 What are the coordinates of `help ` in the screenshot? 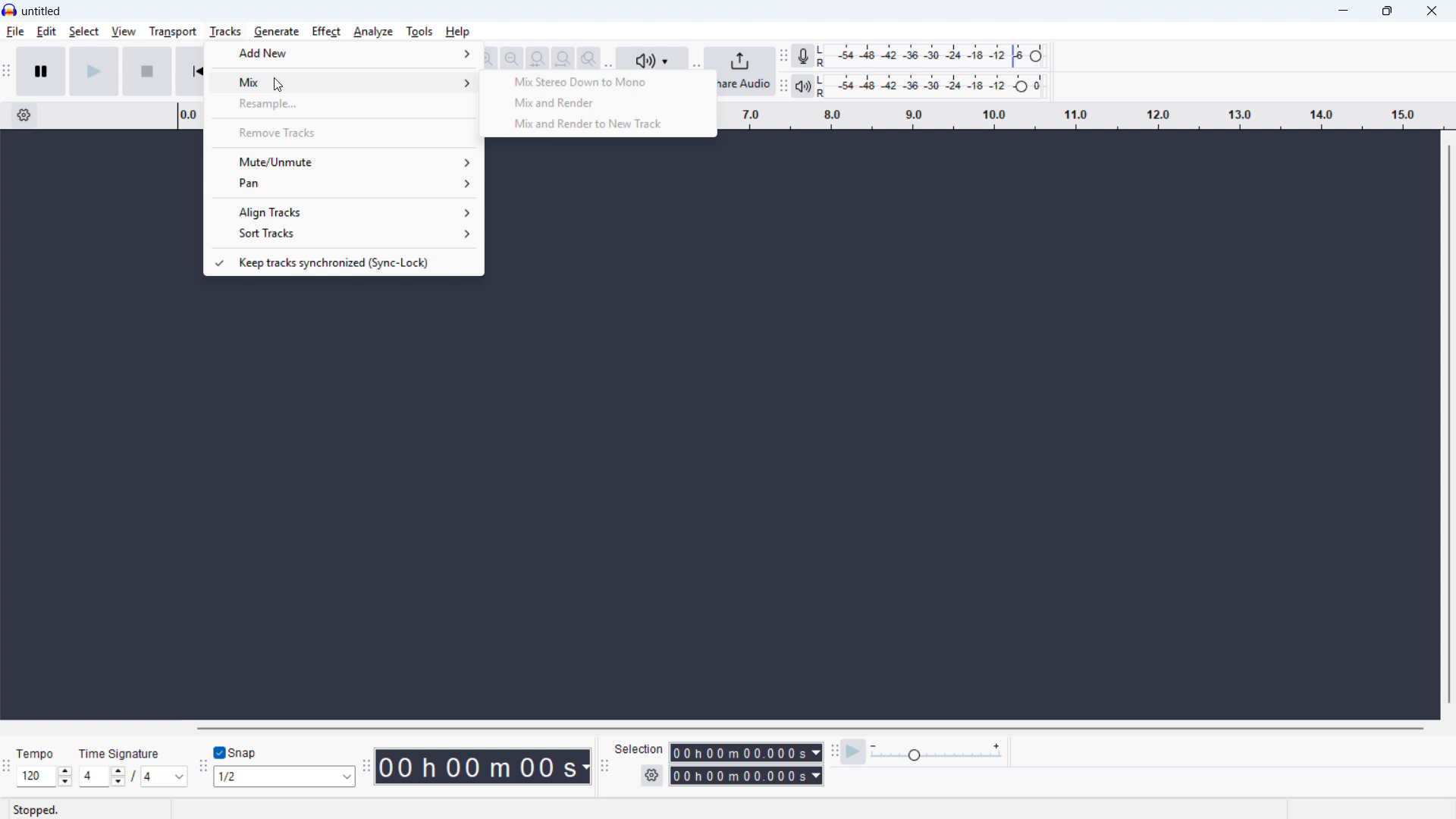 It's located at (458, 32).